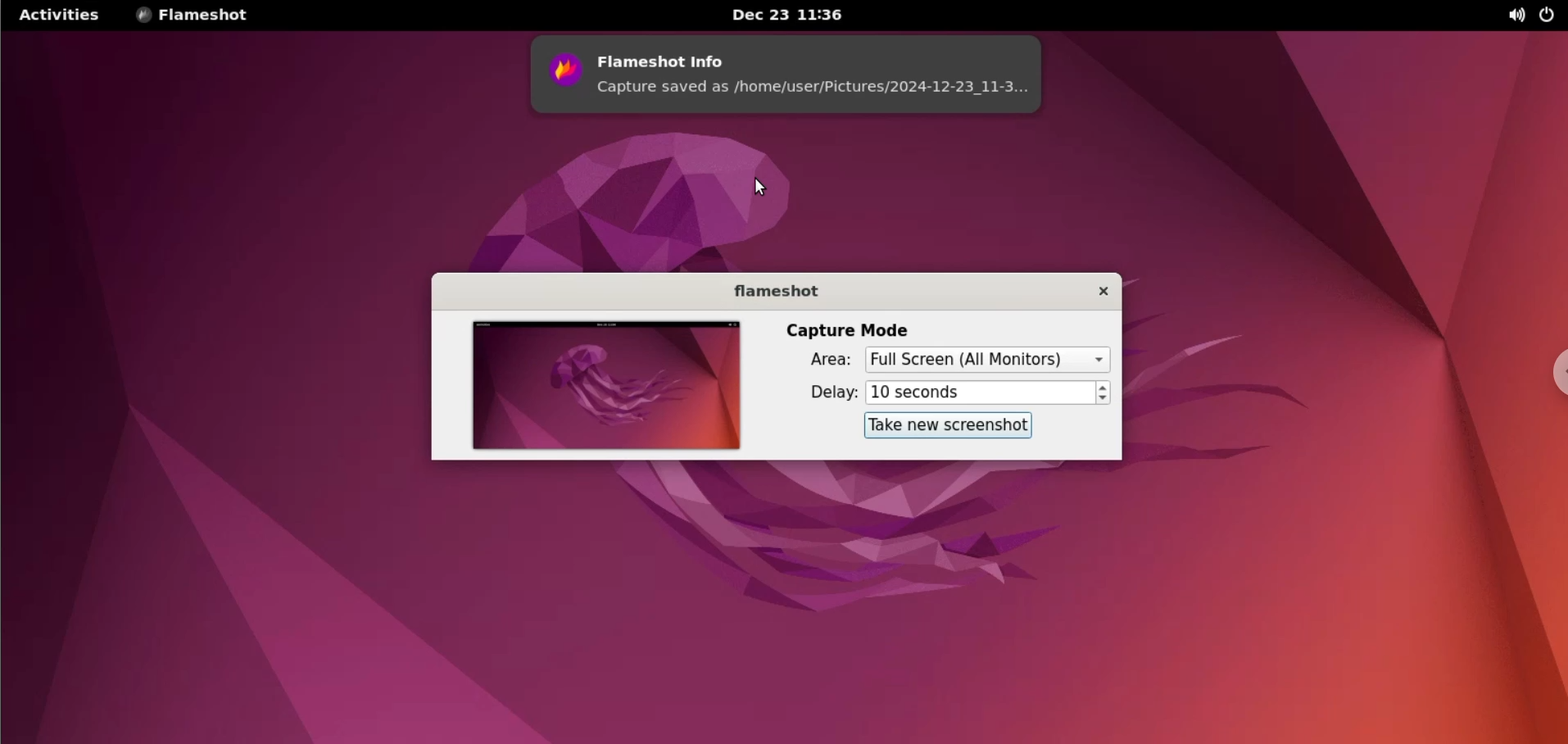  Describe the element at coordinates (202, 17) in the screenshot. I see `flameshot options` at that location.